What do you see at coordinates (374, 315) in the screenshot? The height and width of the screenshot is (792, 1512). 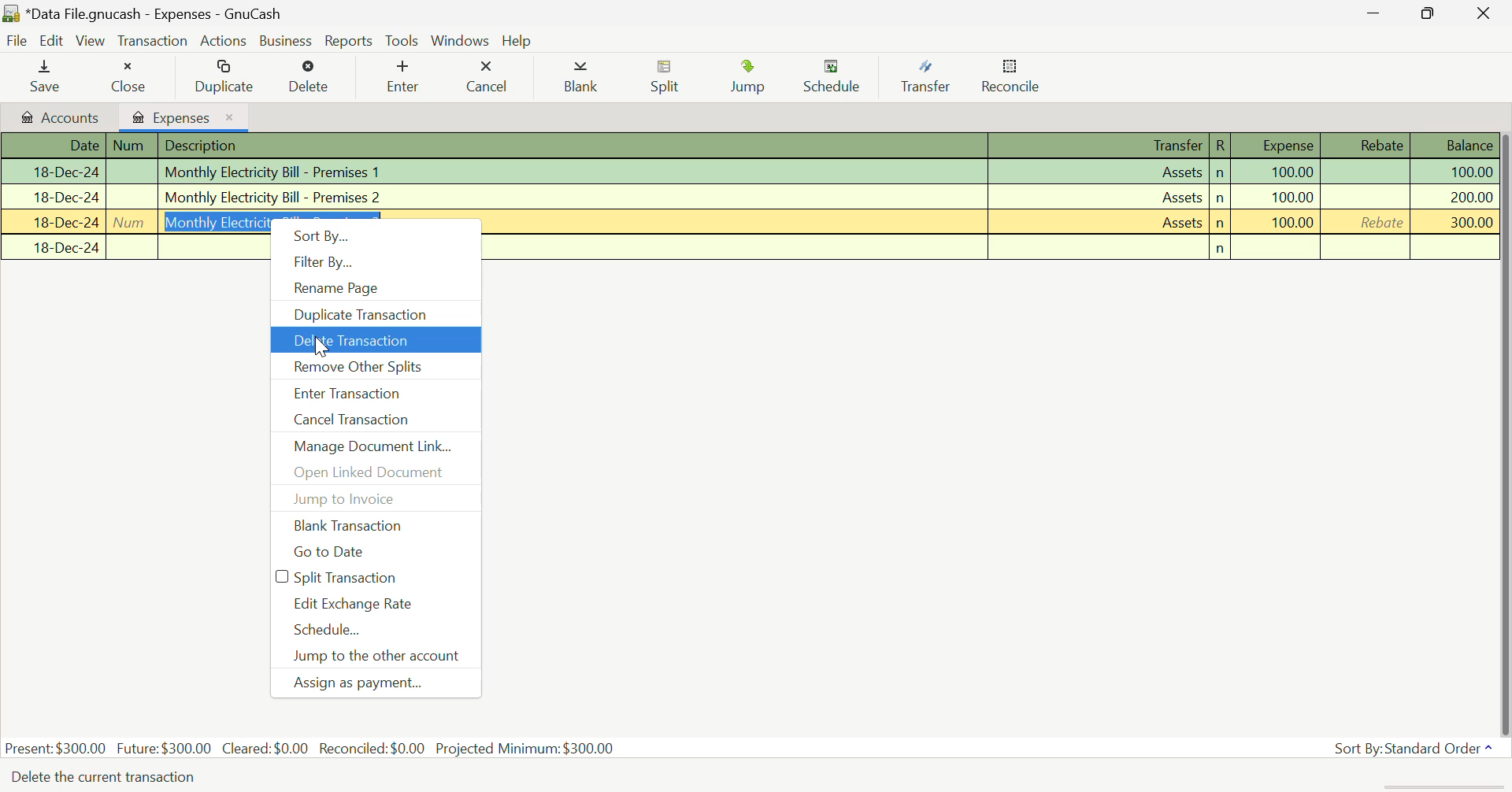 I see `Duplicate Transaction` at bounding box center [374, 315].